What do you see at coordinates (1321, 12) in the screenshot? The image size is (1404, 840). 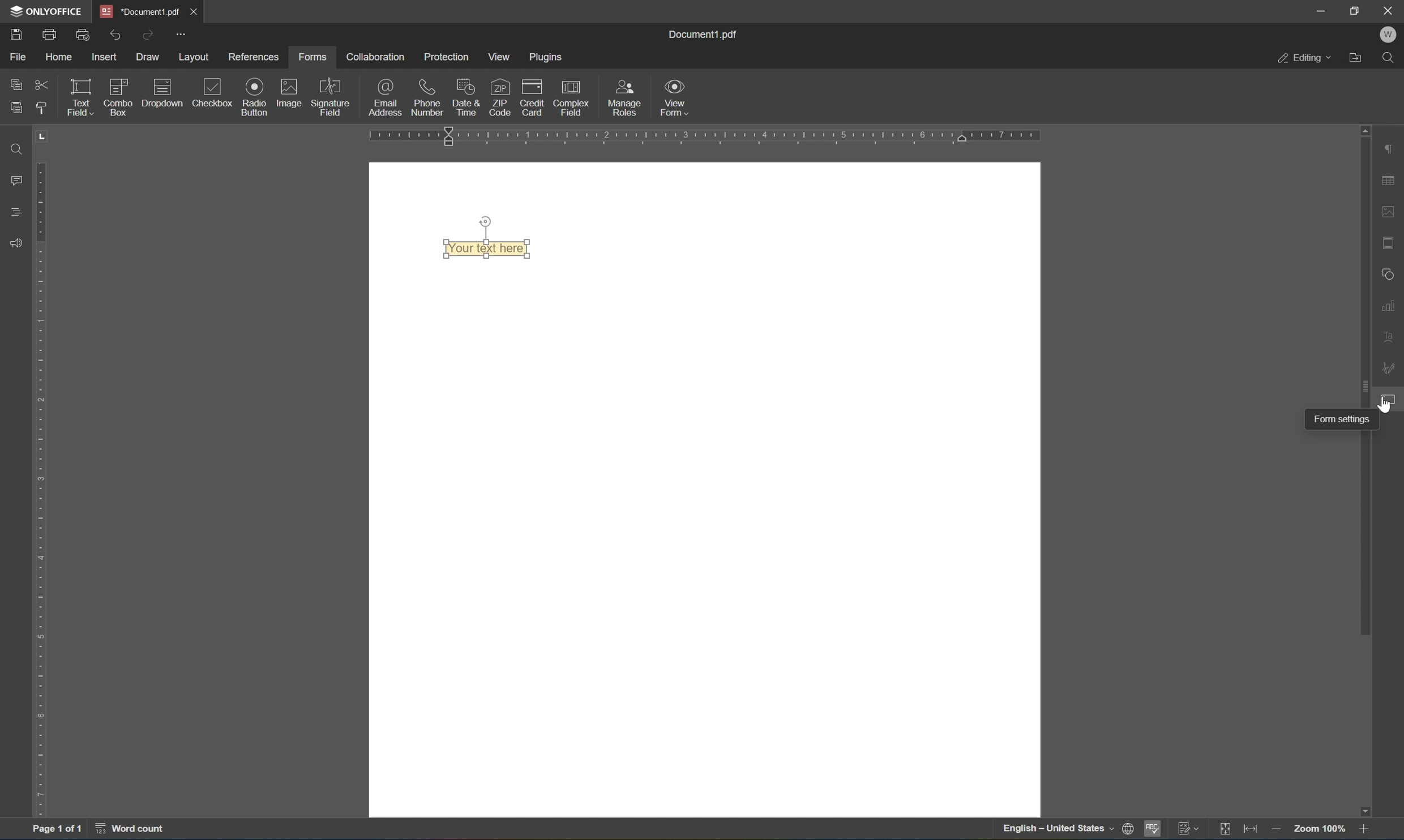 I see `minimize` at bounding box center [1321, 12].